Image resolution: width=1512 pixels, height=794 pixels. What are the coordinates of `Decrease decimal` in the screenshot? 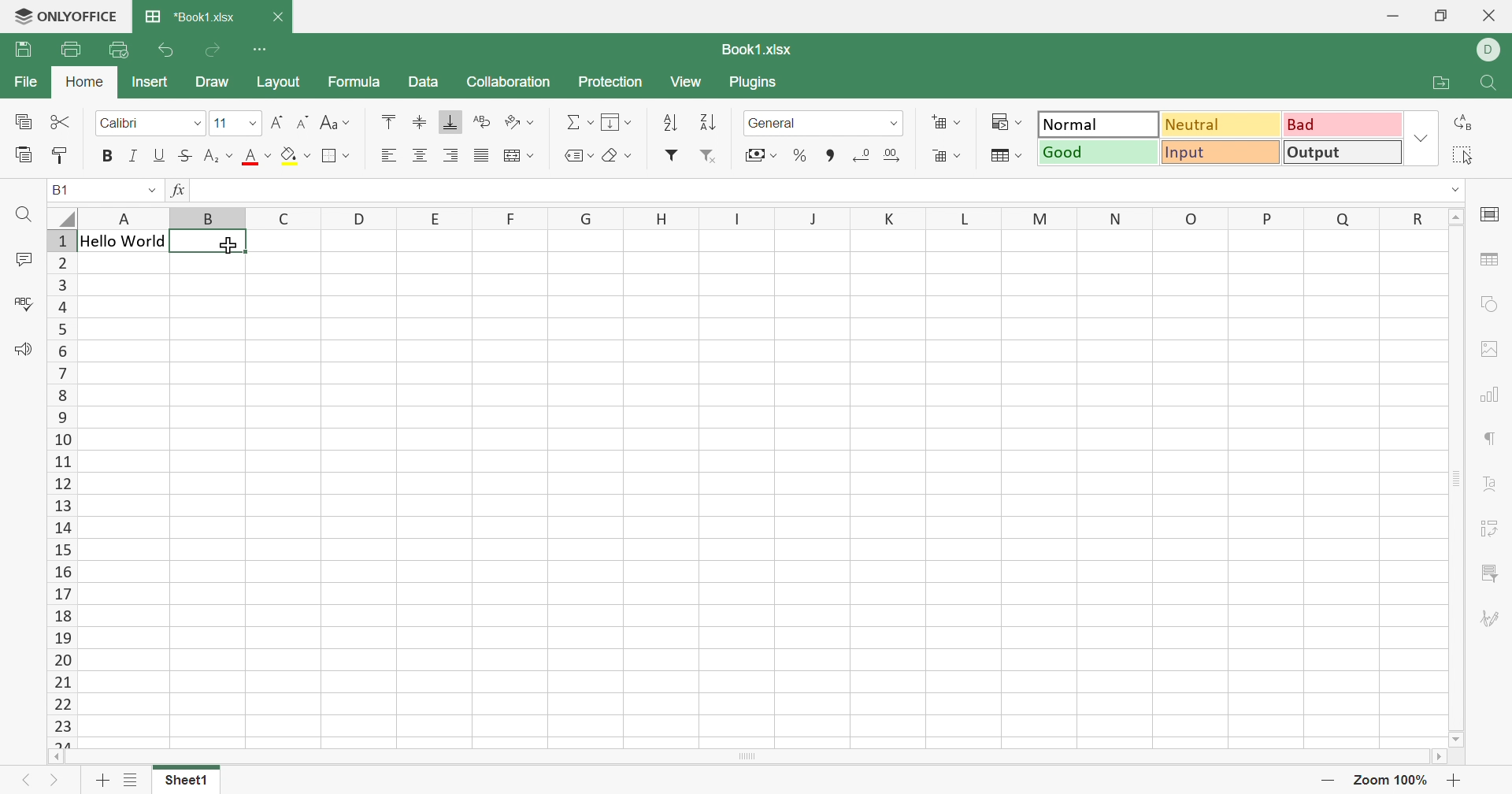 It's located at (862, 156).